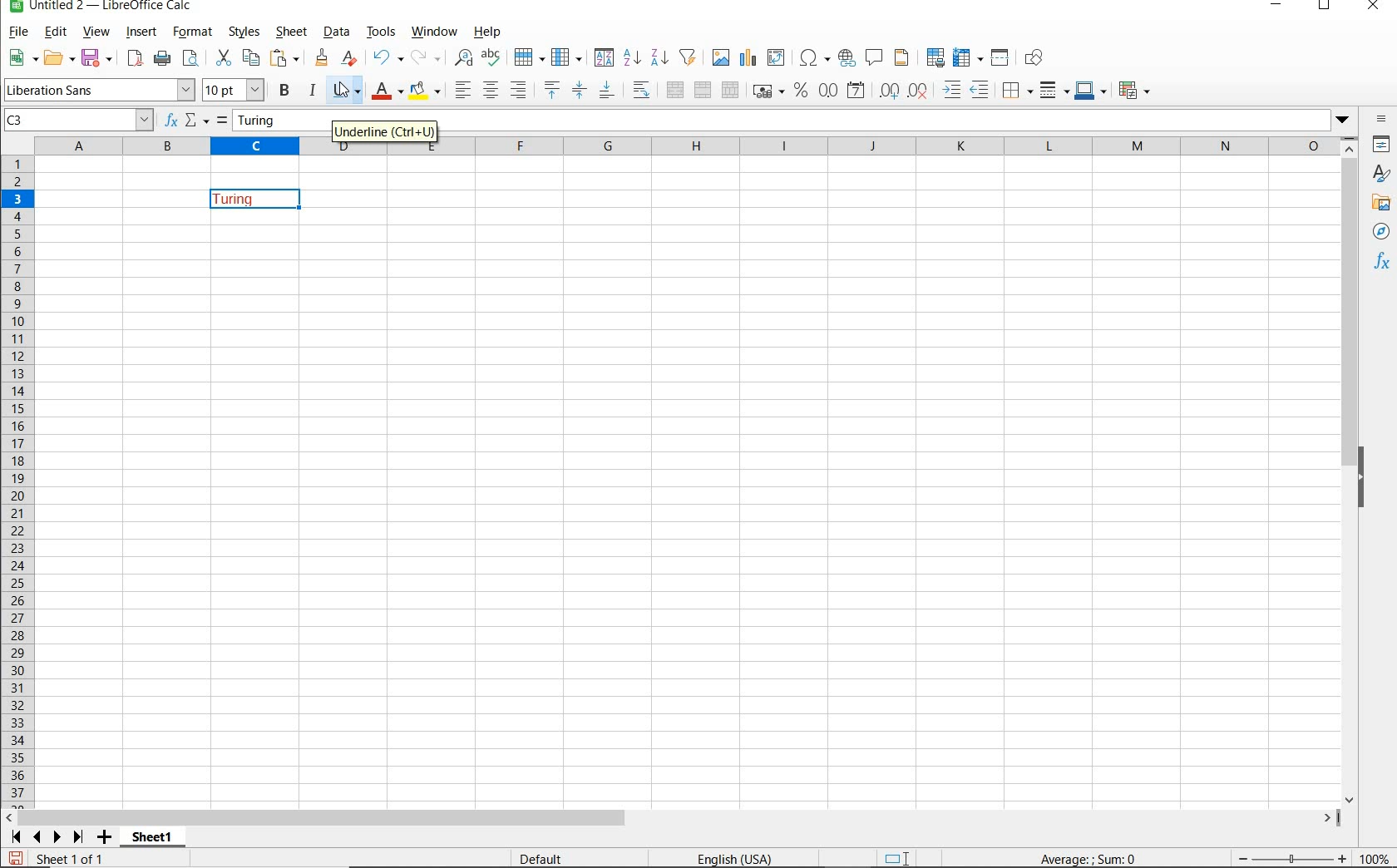  I want to click on FORMULA, so click(223, 121).